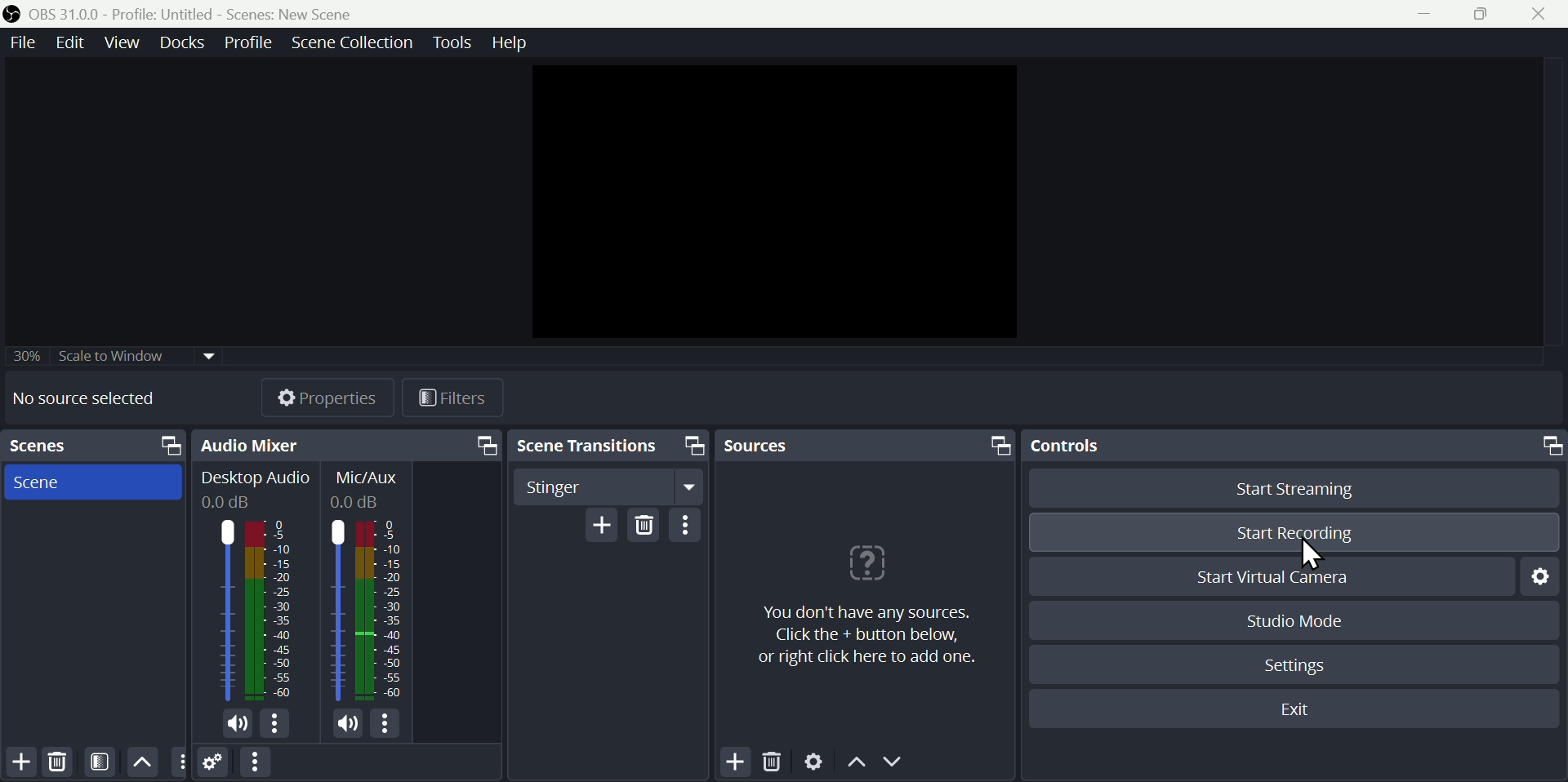 This screenshot has width=1568, height=782. I want to click on Audio mixer, so click(253, 442).